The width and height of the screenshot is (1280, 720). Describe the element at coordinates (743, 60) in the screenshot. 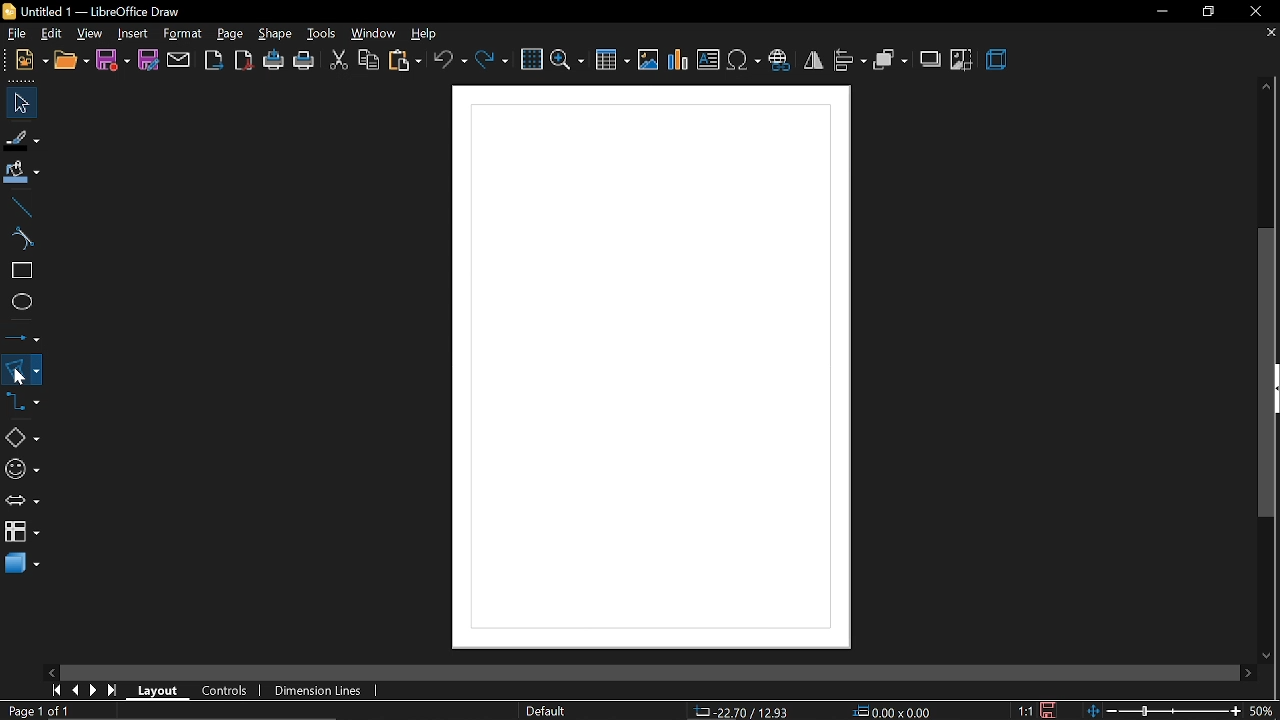

I see `insert symbol` at that location.